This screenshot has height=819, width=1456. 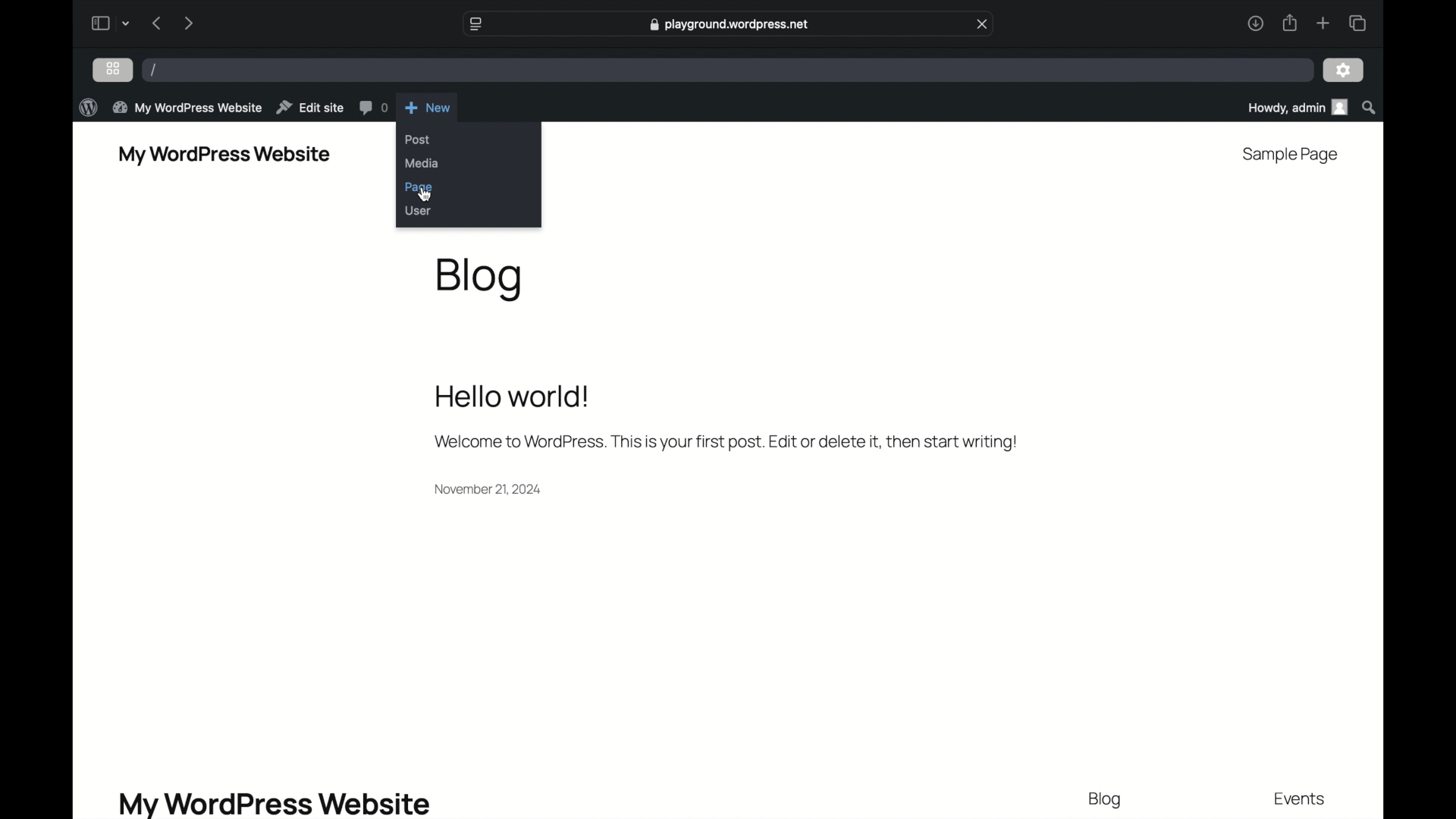 I want to click on sample job, so click(x=1291, y=155).